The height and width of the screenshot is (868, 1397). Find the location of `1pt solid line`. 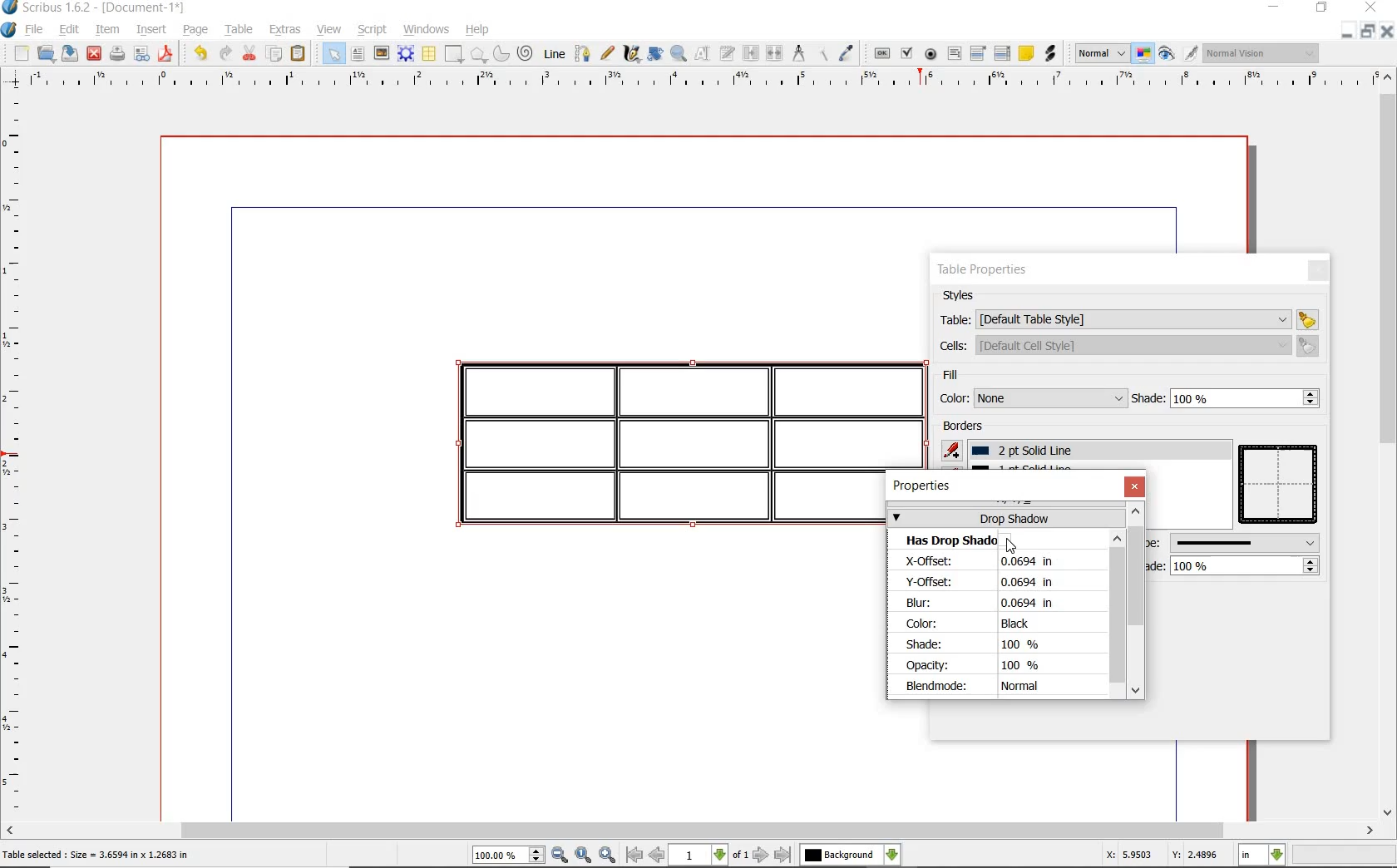

1pt solid line is located at coordinates (1031, 451).